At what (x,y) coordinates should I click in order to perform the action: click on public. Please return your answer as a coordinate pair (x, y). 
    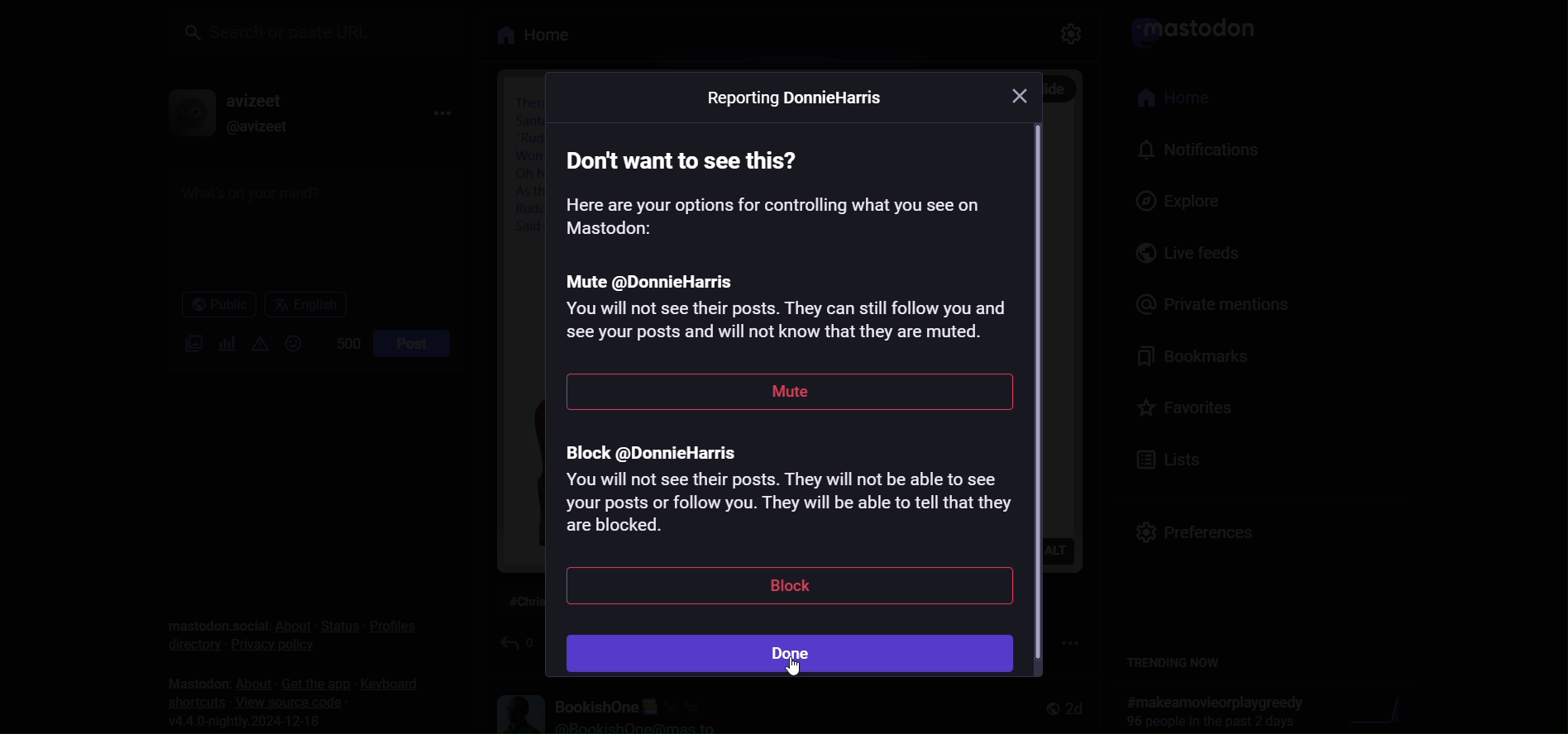
    Looking at the image, I should click on (210, 305).